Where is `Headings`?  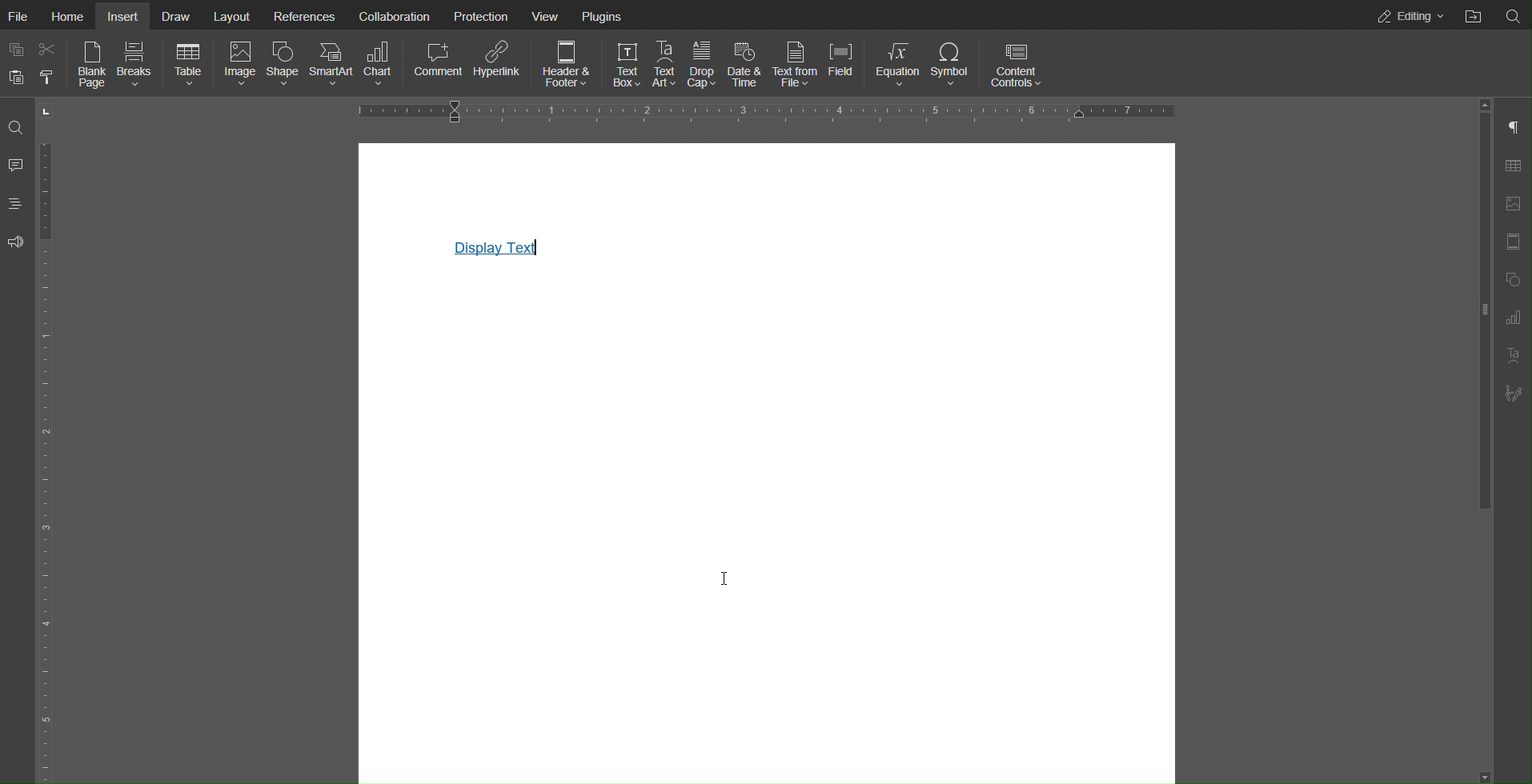
Headings is located at coordinates (14, 204).